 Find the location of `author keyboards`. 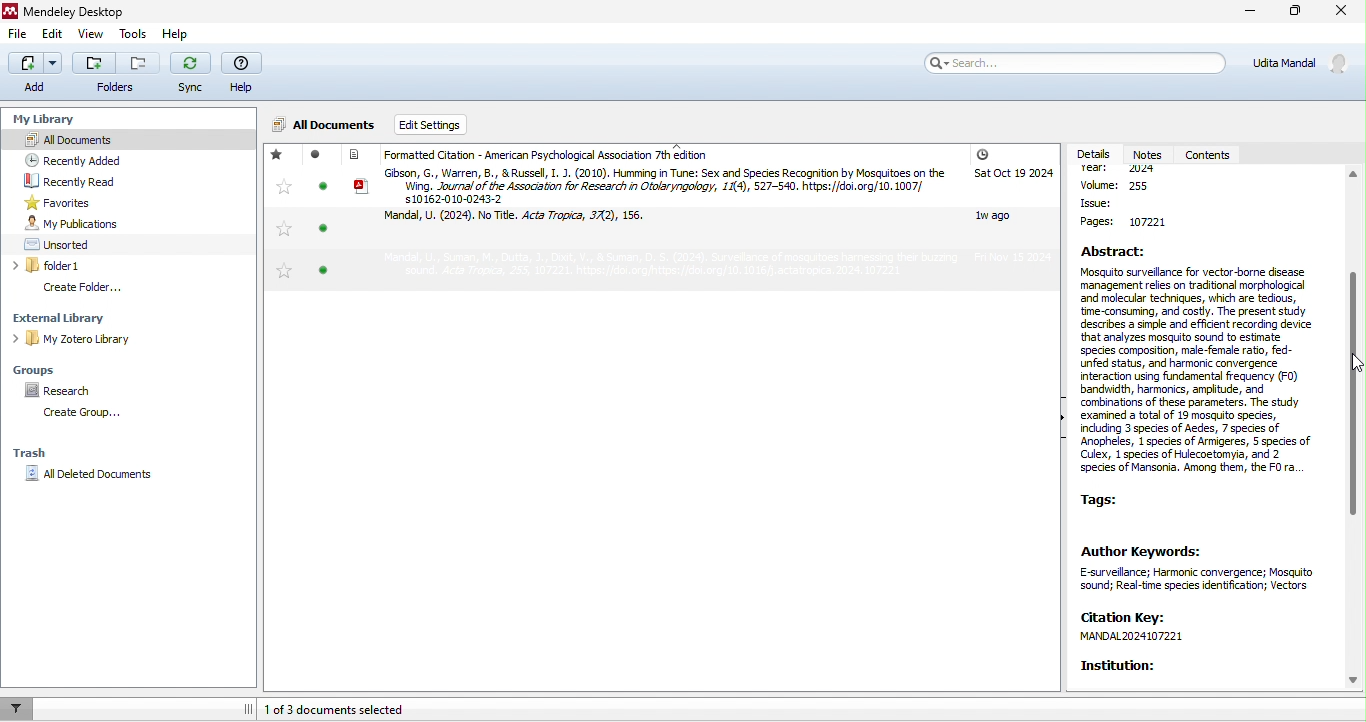

author keyboards is located at coordinates (1204, 566).